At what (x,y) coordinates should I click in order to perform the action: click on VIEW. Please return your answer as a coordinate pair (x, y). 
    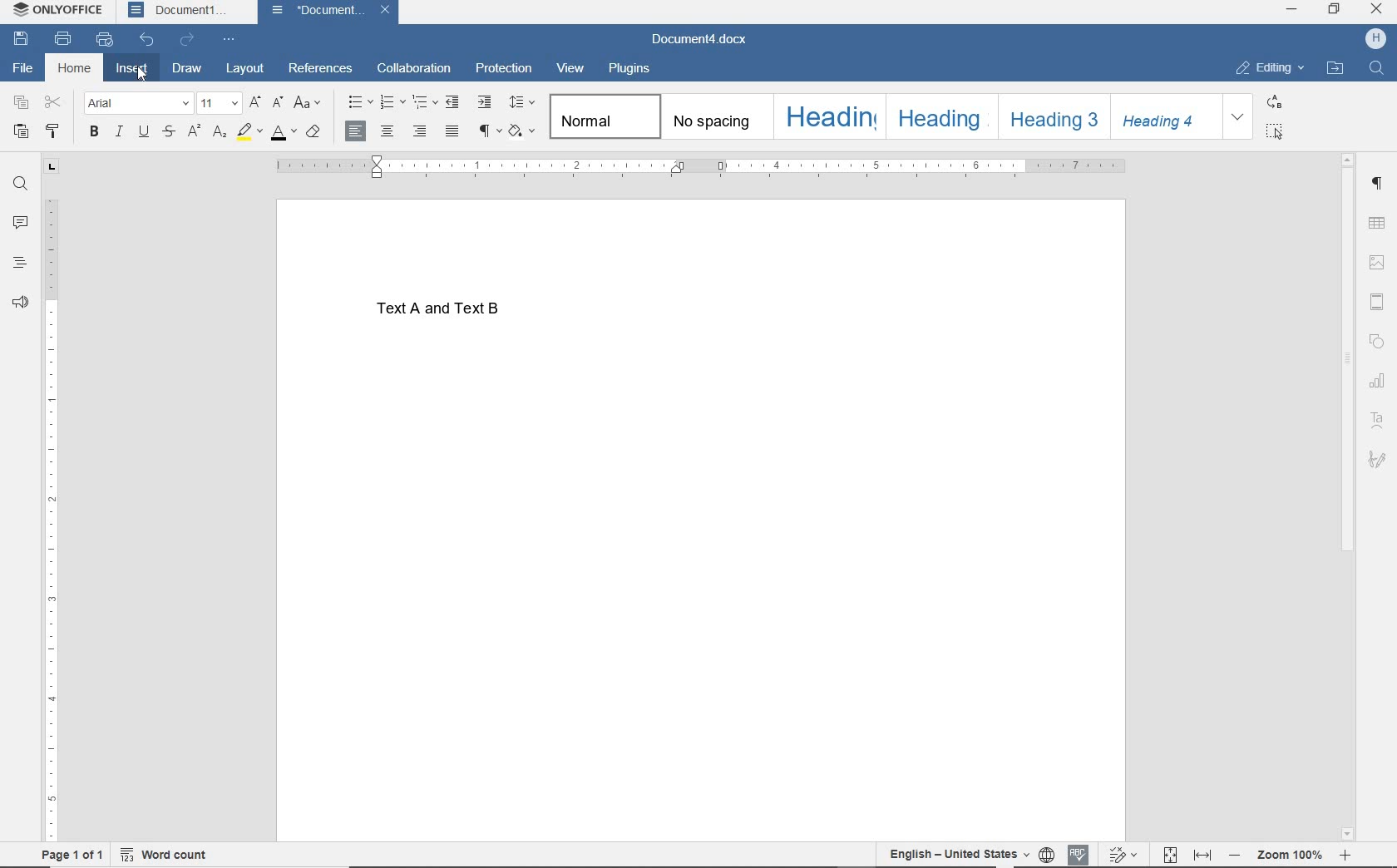
    Looking at the image, I should click on (572, 69).